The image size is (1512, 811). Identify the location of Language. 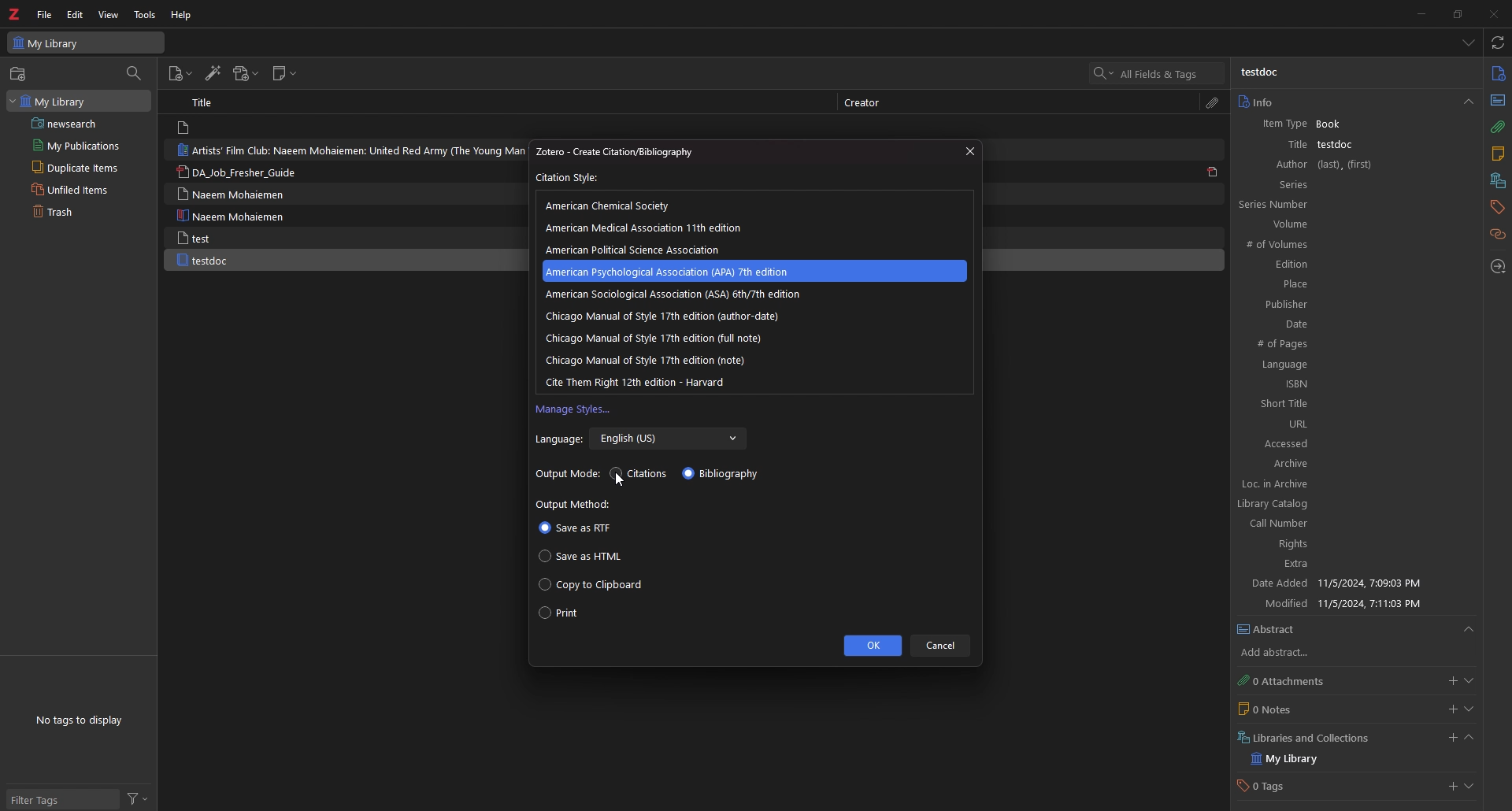
(558, 440).